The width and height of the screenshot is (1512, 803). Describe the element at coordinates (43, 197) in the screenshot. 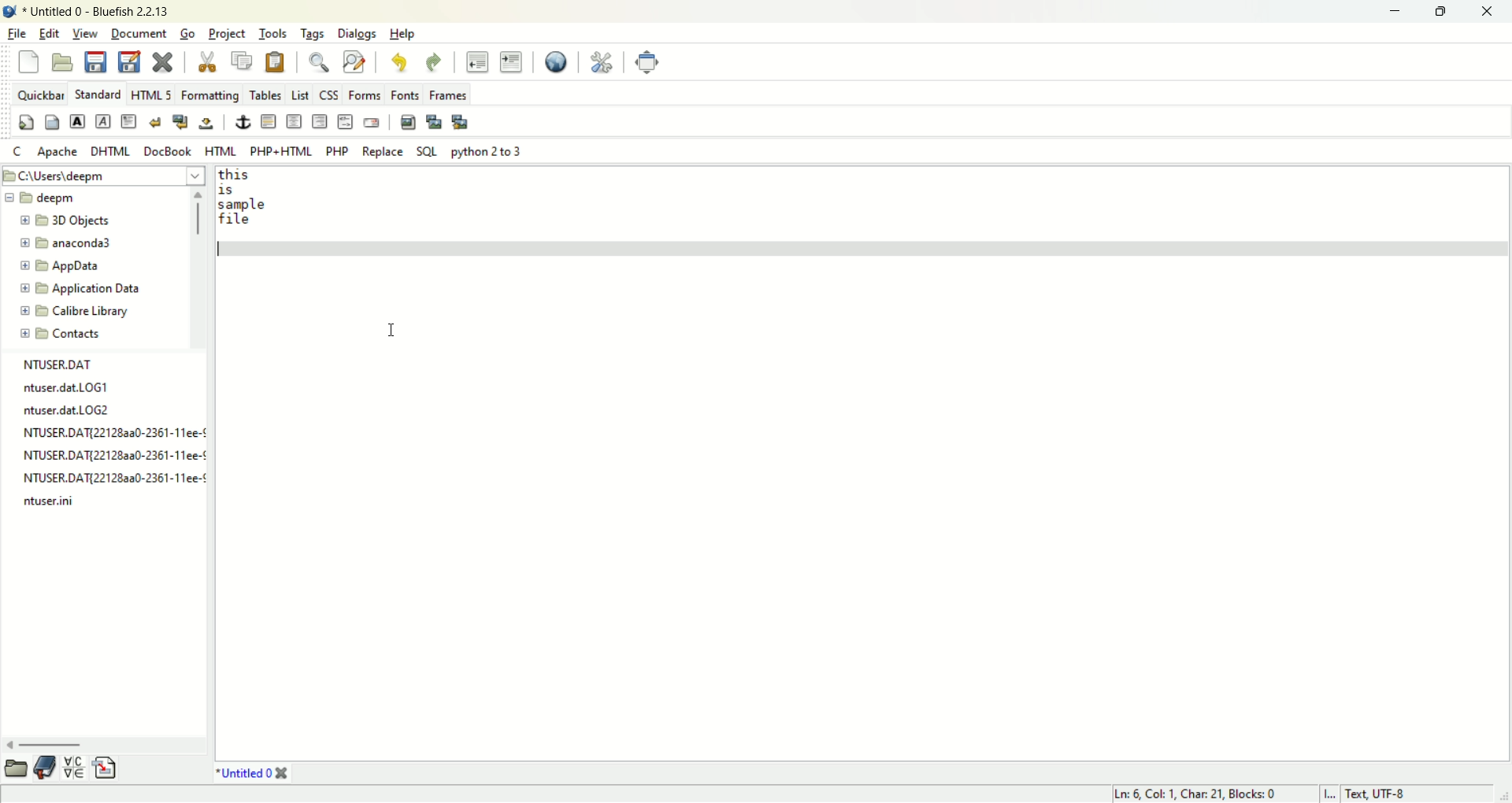

I see `deepm` at that location.